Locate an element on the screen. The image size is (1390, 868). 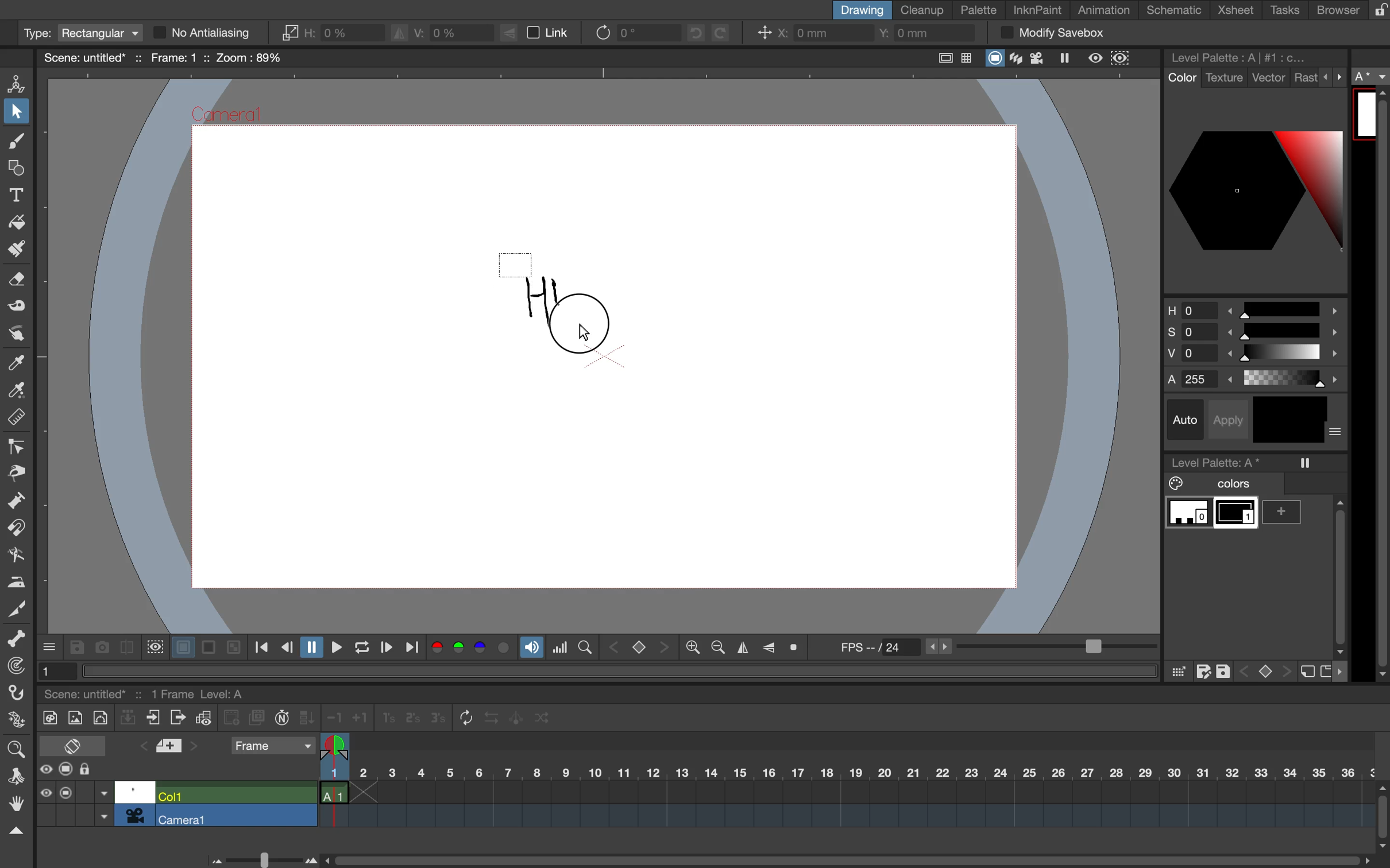
compare to snapshot is located at coordinates (126, 650).